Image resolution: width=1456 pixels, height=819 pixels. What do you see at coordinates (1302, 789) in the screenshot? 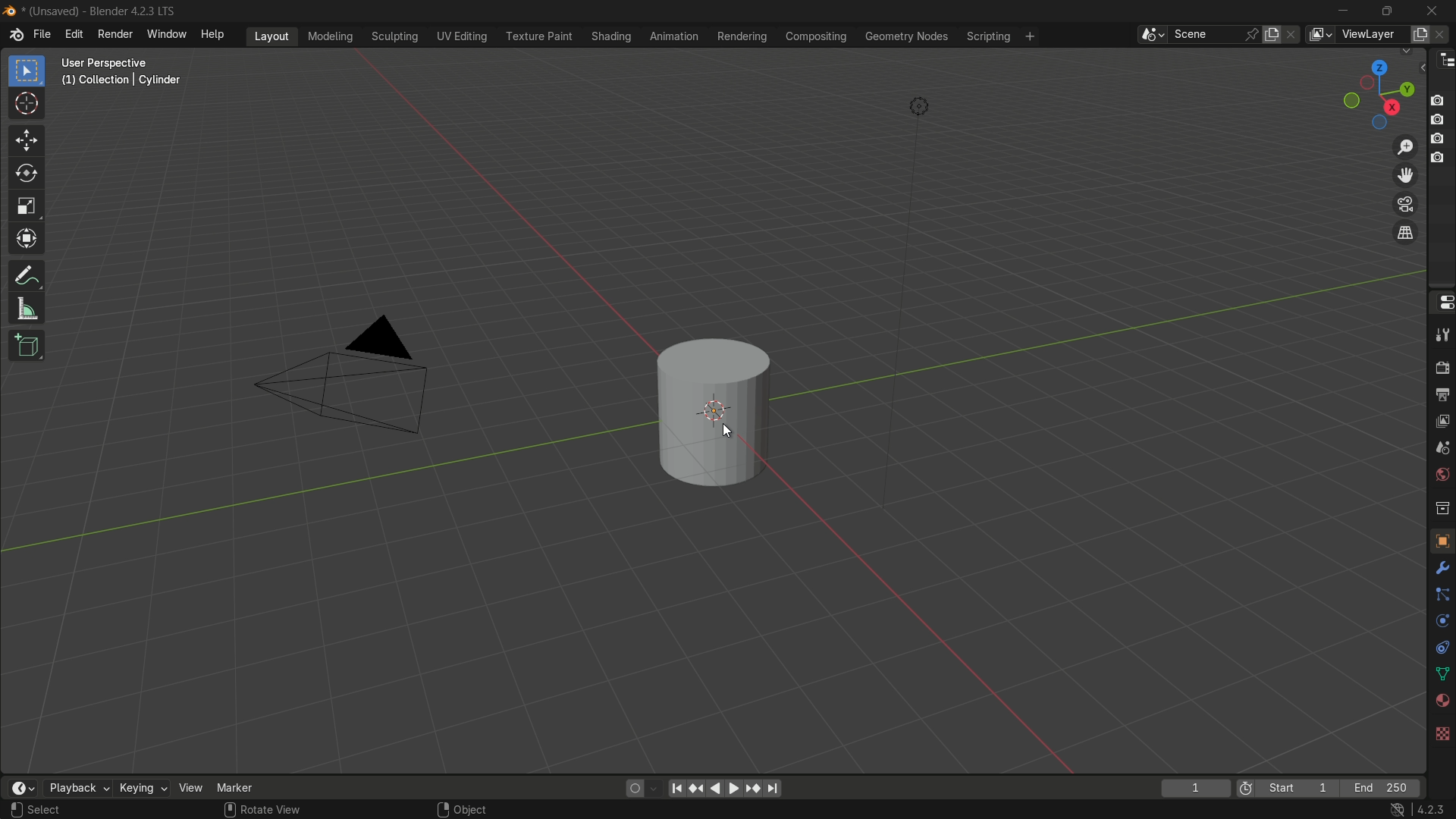
I see `Start 1` at bounding box center [1302, 789].